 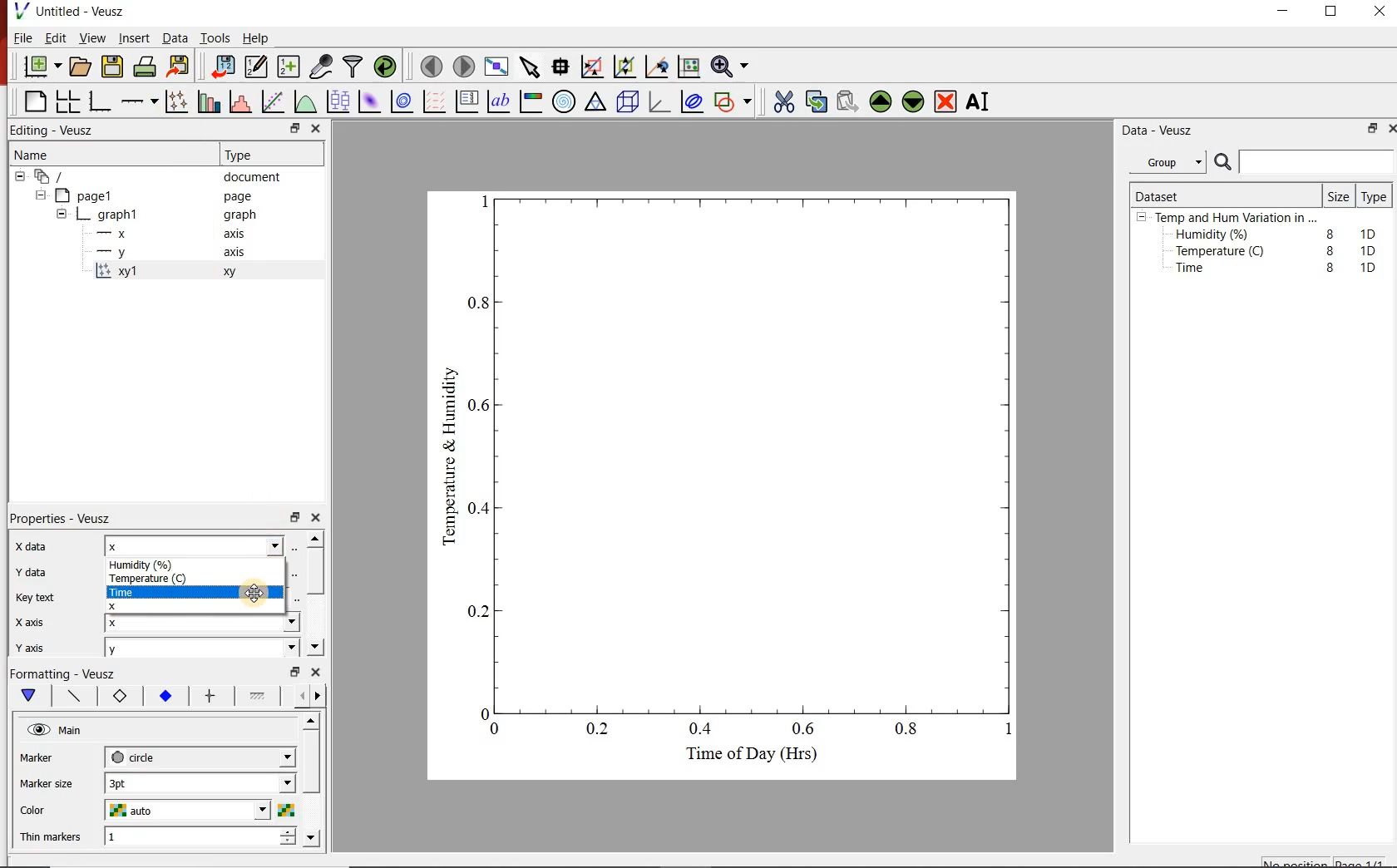 What do you see at coordinates (745, 758) in the screenshot?
I see `Time of Day (Hrs)` at bounding box center [745, 758].